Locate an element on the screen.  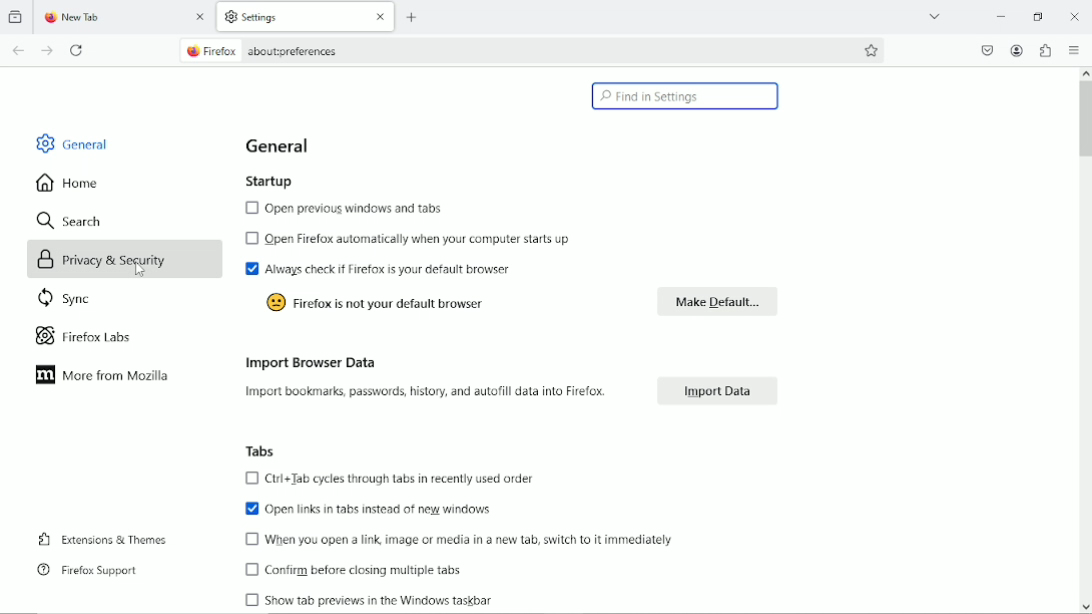
new tab is located at coordinates (414, 17).